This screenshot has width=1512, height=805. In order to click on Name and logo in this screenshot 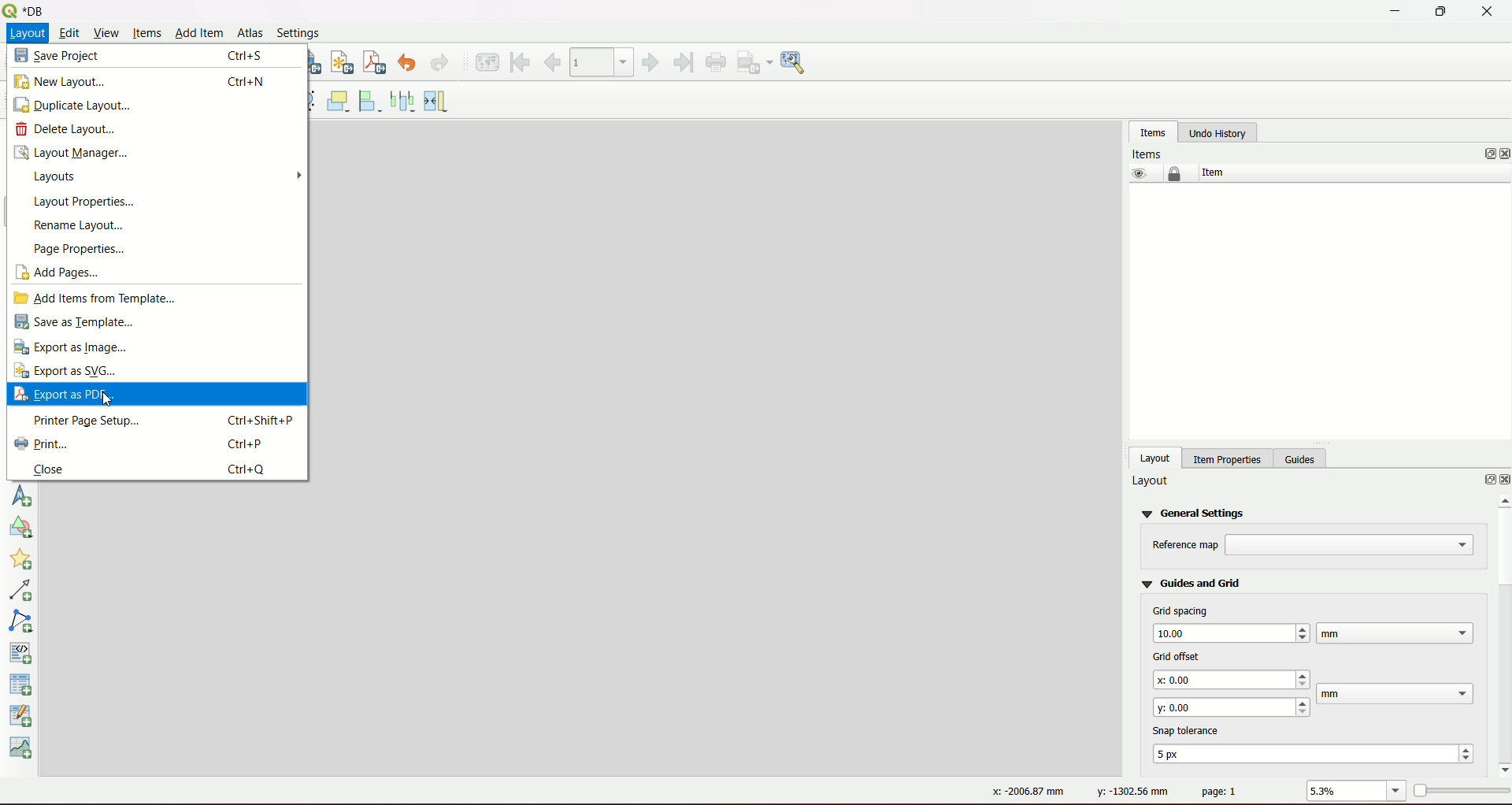, I will do `click(30, 11)`.